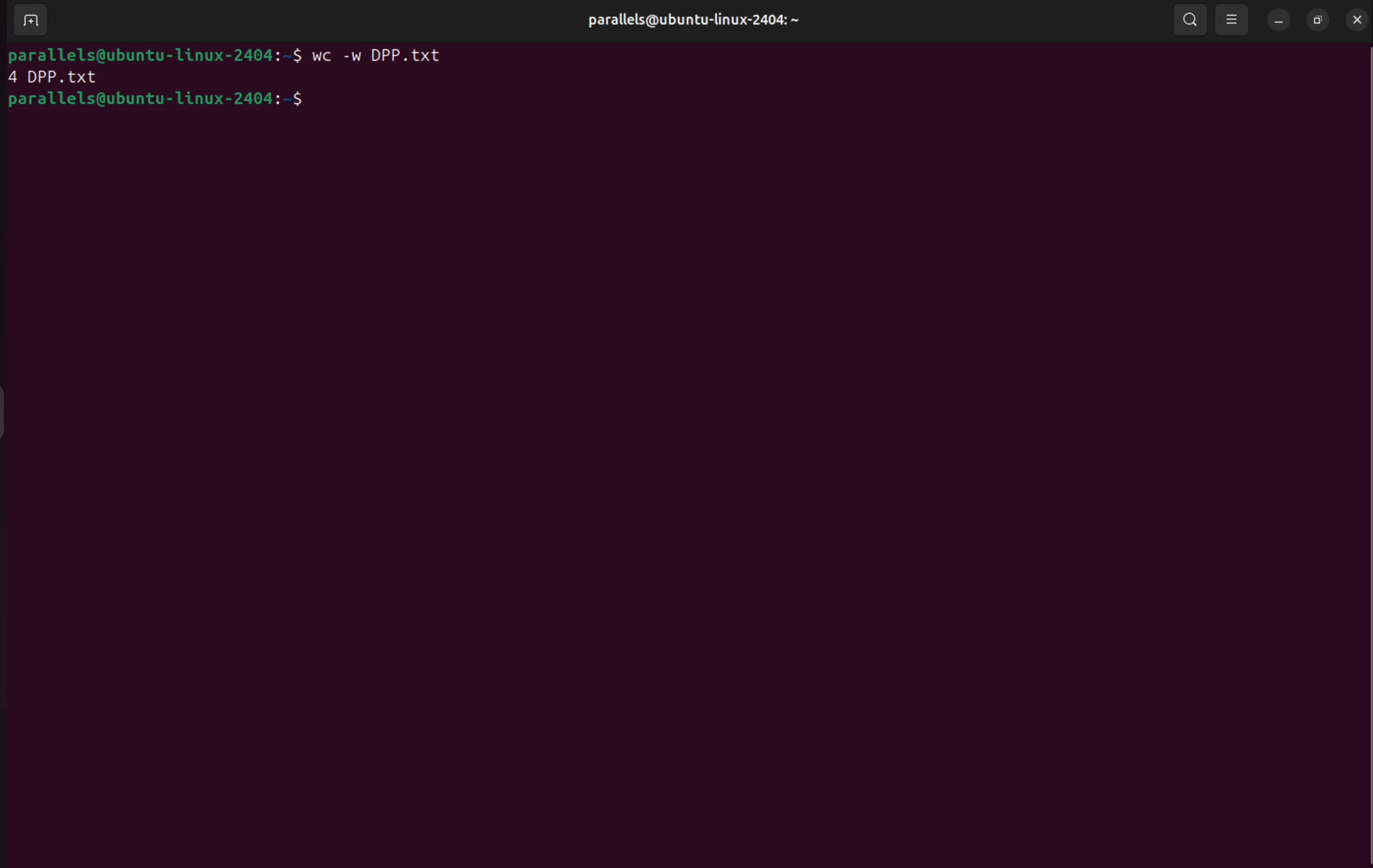  Describe the element at coordinates (158, 101) in the screenshot. I see `parallels@ubuntu-linux-2404:~$` at that location.